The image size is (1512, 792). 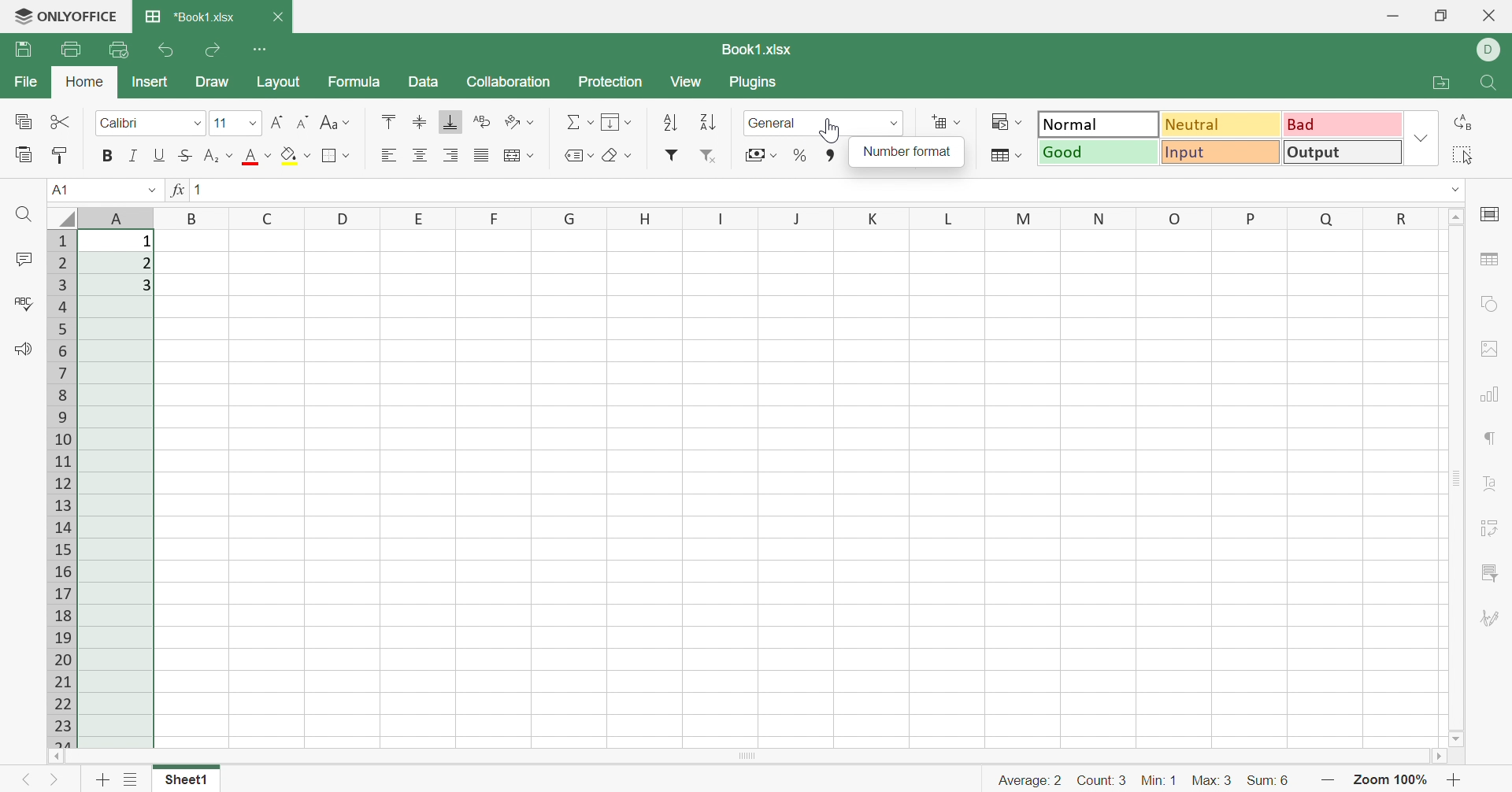 I want to click on Drop down, so click(x=151, y=188).